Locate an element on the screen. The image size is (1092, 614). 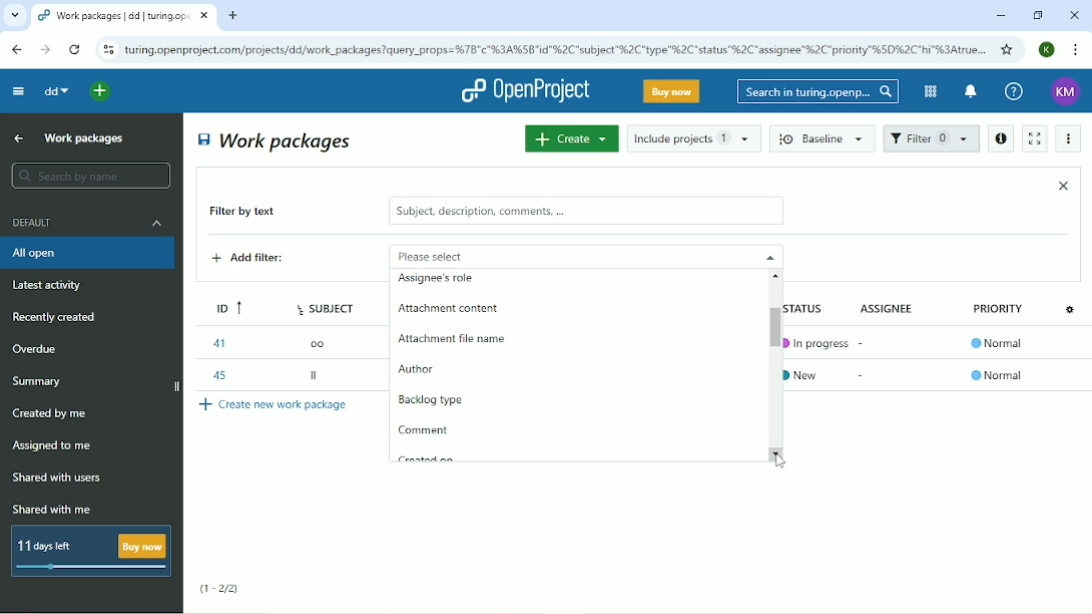
Open quick add menu is located at coordinates (101, 91).